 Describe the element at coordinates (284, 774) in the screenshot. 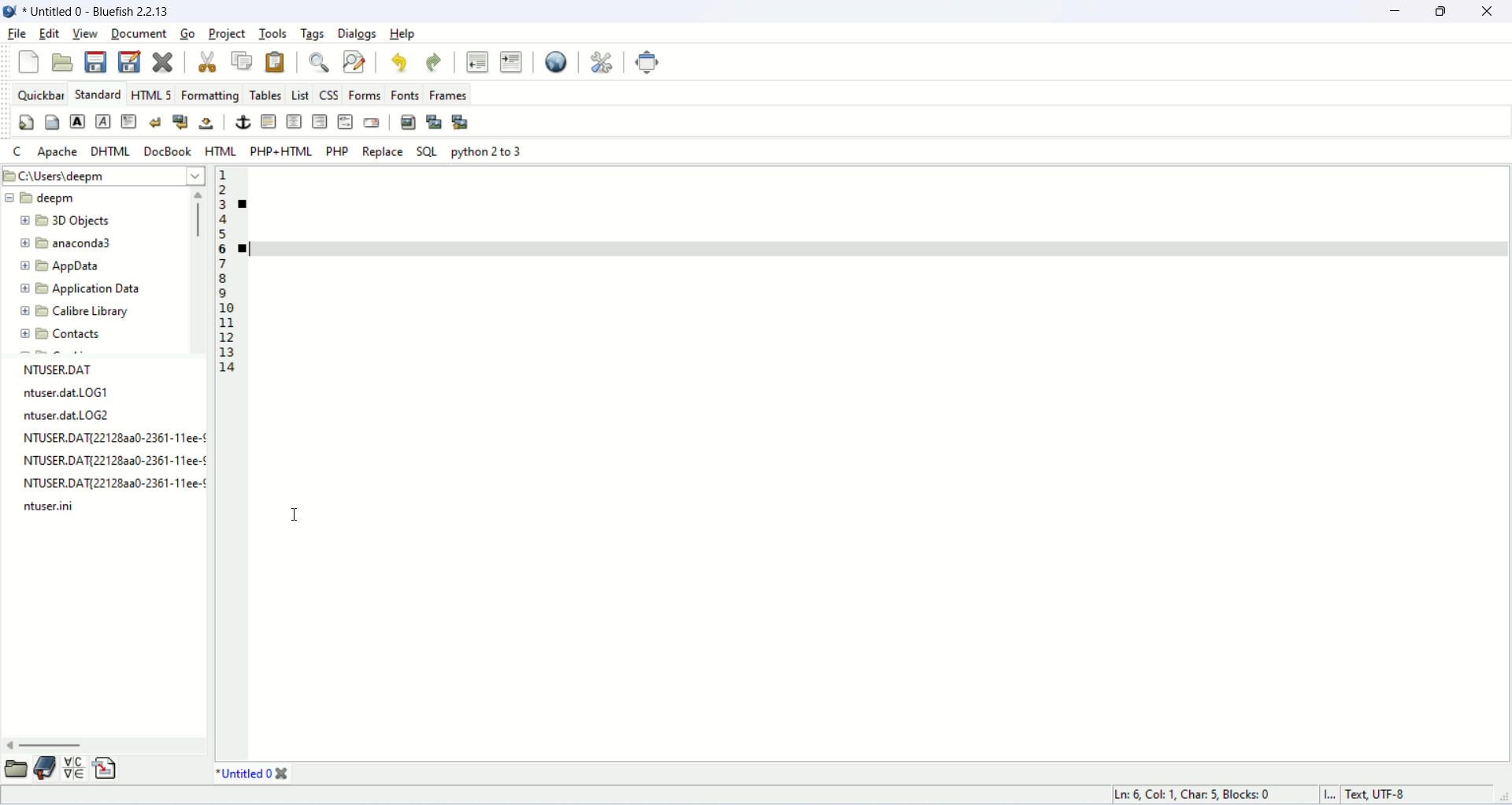

I see `close` at that location.